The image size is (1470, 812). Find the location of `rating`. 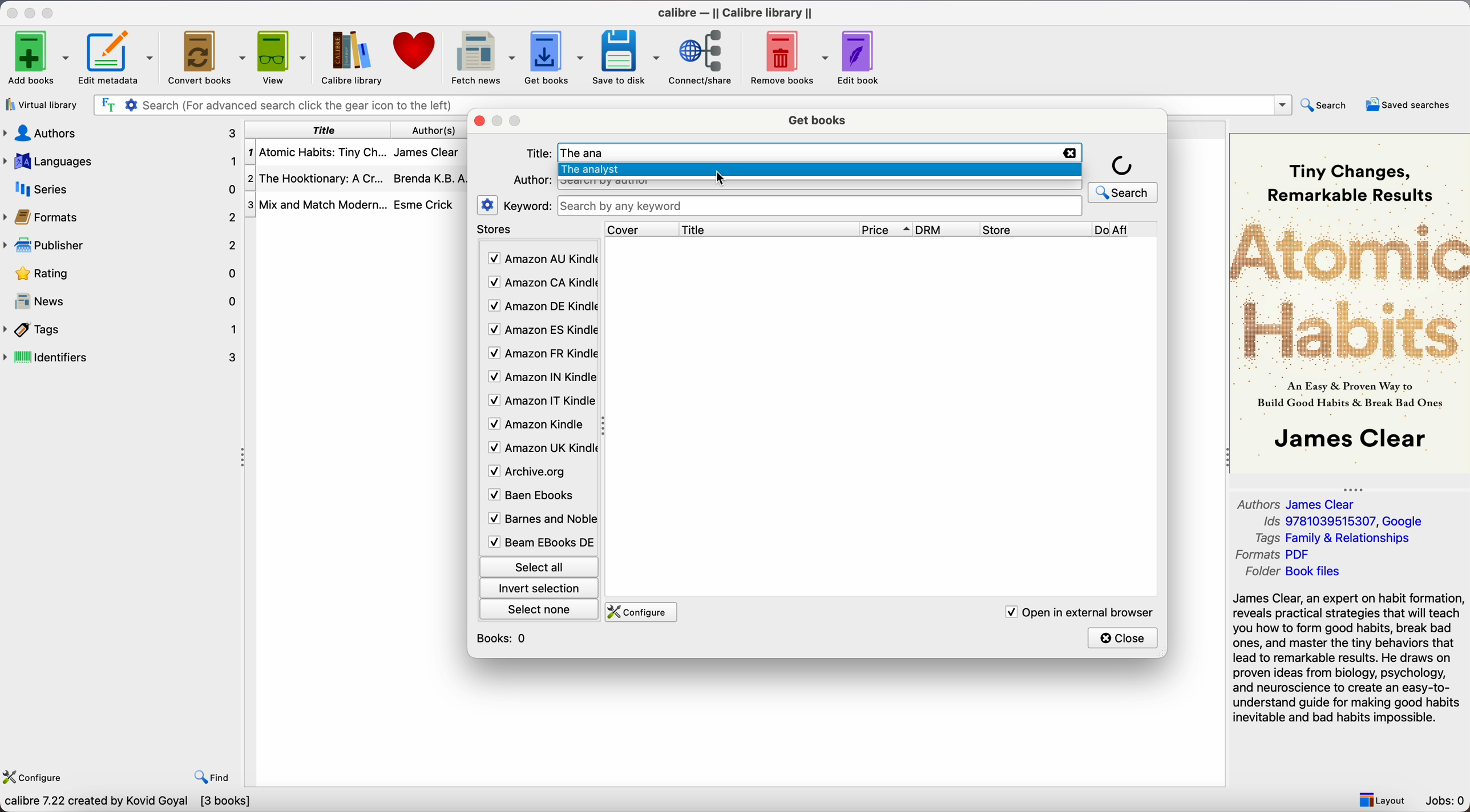

rating is located at coordinates (123, 273).